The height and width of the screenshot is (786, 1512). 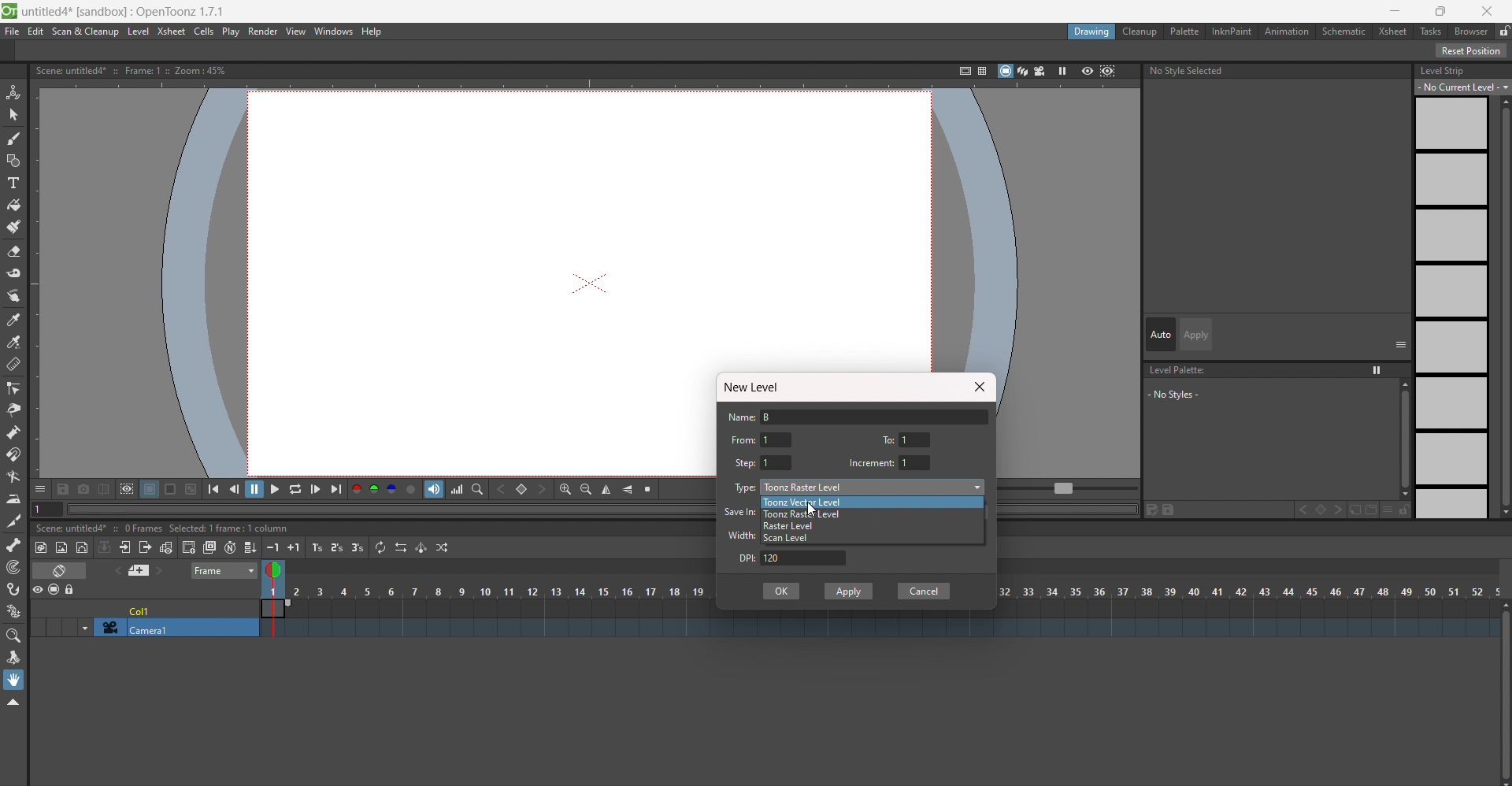 What do you see at coordinates (978, 387) in the screenshot?
I see `close` at bounding box center [978, 387].